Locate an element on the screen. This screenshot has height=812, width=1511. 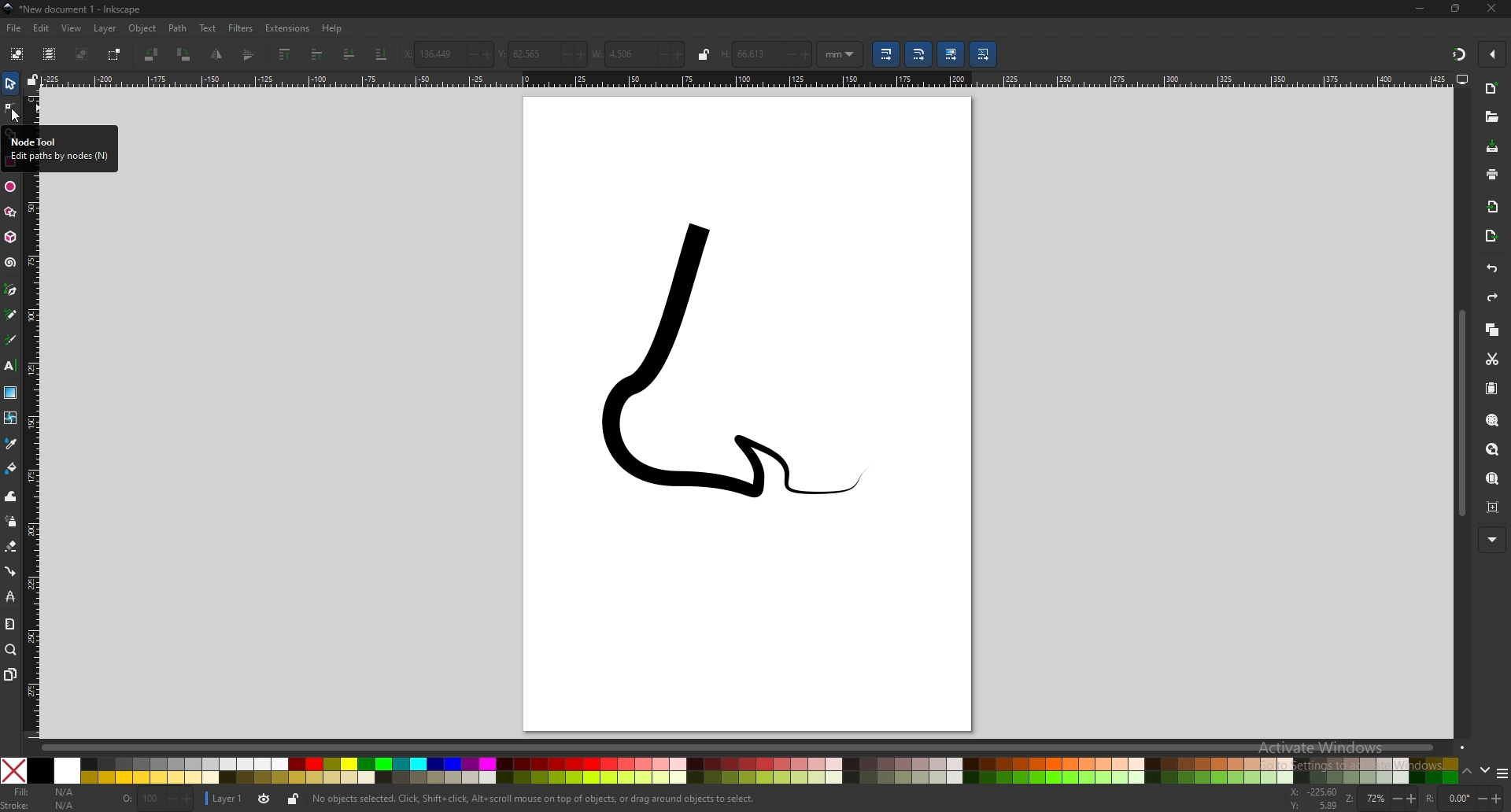
object is located at coordinates (145, 28).